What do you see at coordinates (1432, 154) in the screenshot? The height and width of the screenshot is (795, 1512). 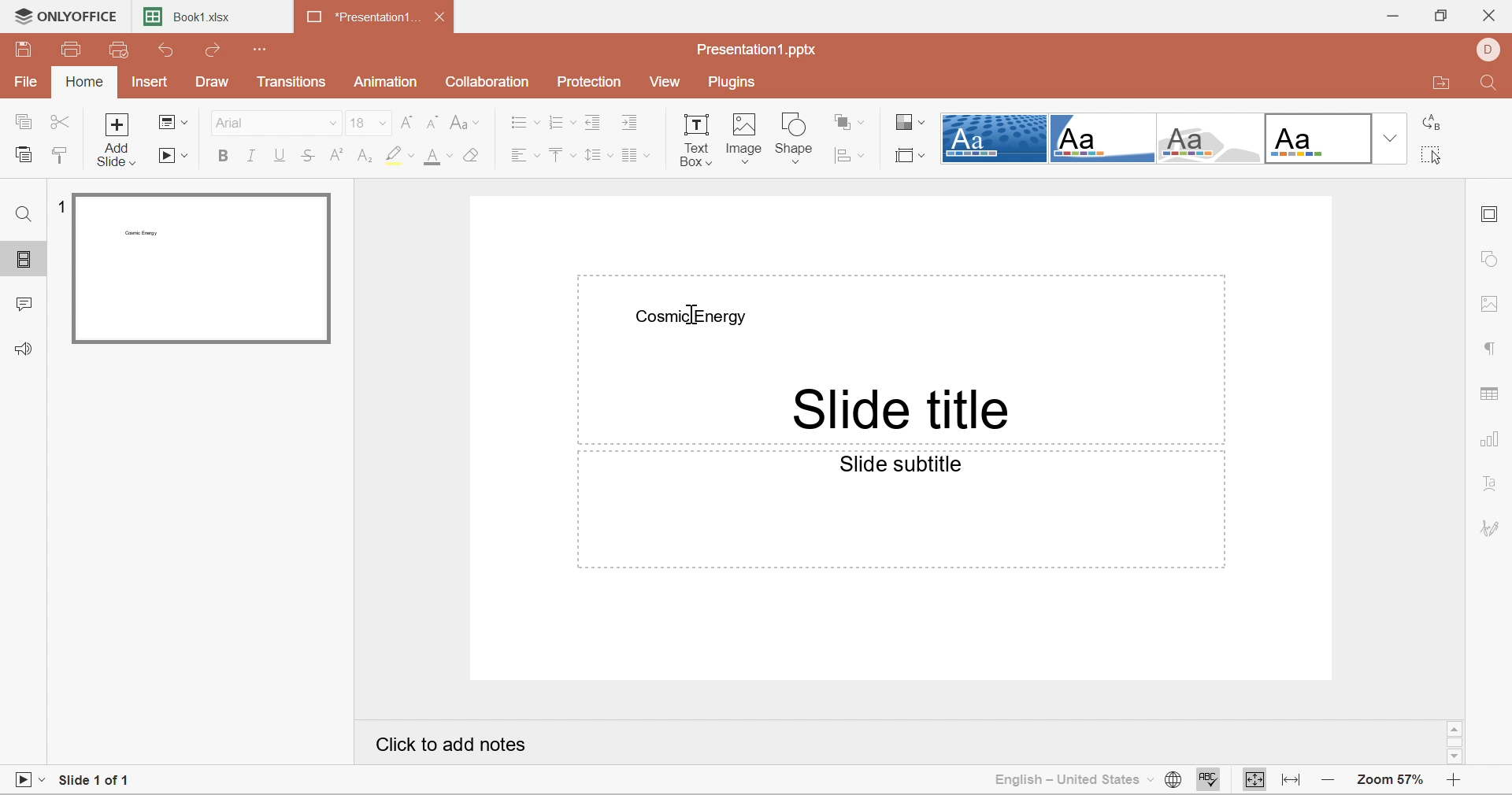 I see `Select all` at bounding box center [1432, 154].